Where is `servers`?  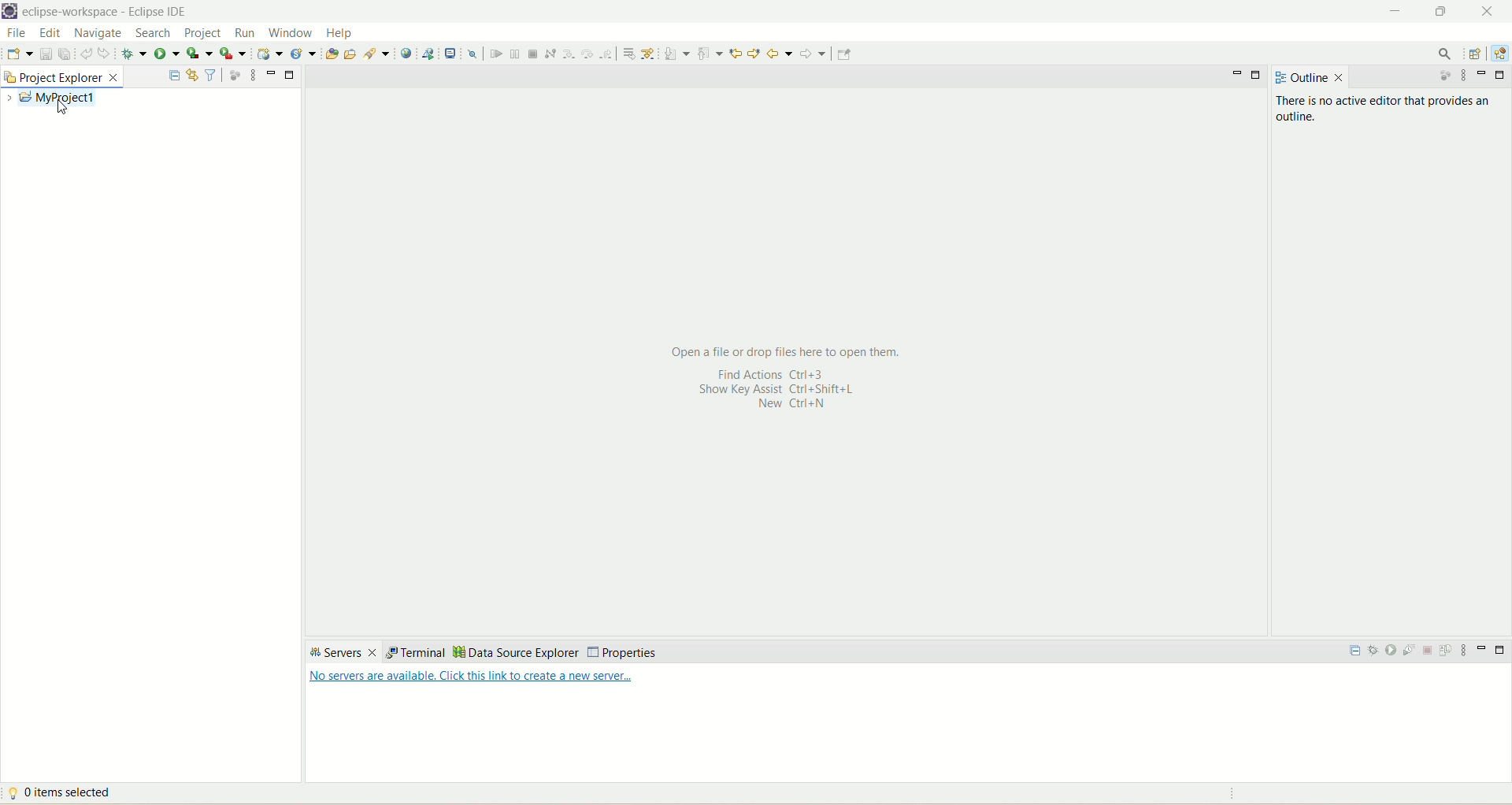 servers is located at coordinates (343, 653).